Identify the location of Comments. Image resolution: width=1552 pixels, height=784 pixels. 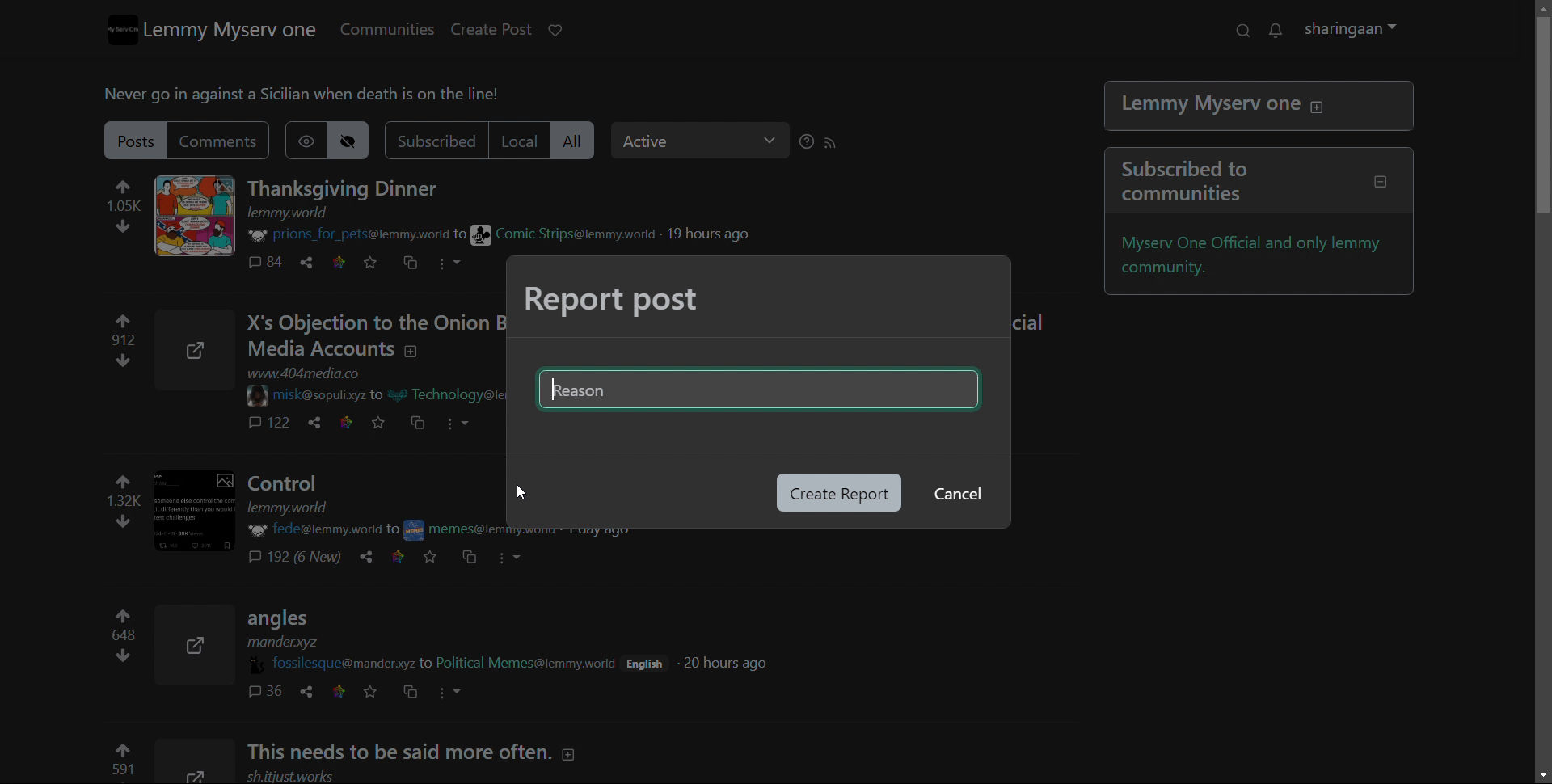
(308, 558).